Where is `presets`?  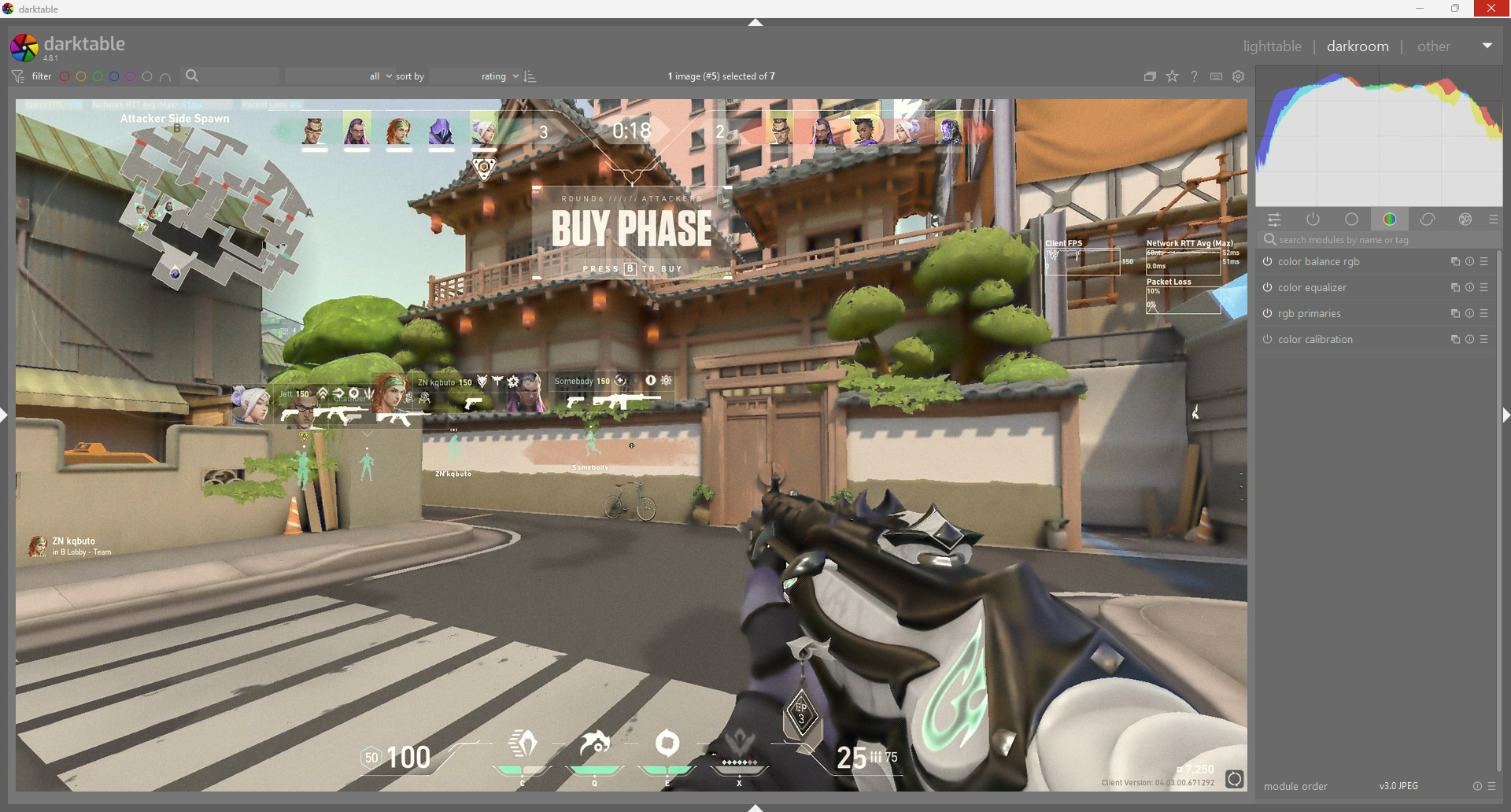
presets is located at coordinates (1484, 314).